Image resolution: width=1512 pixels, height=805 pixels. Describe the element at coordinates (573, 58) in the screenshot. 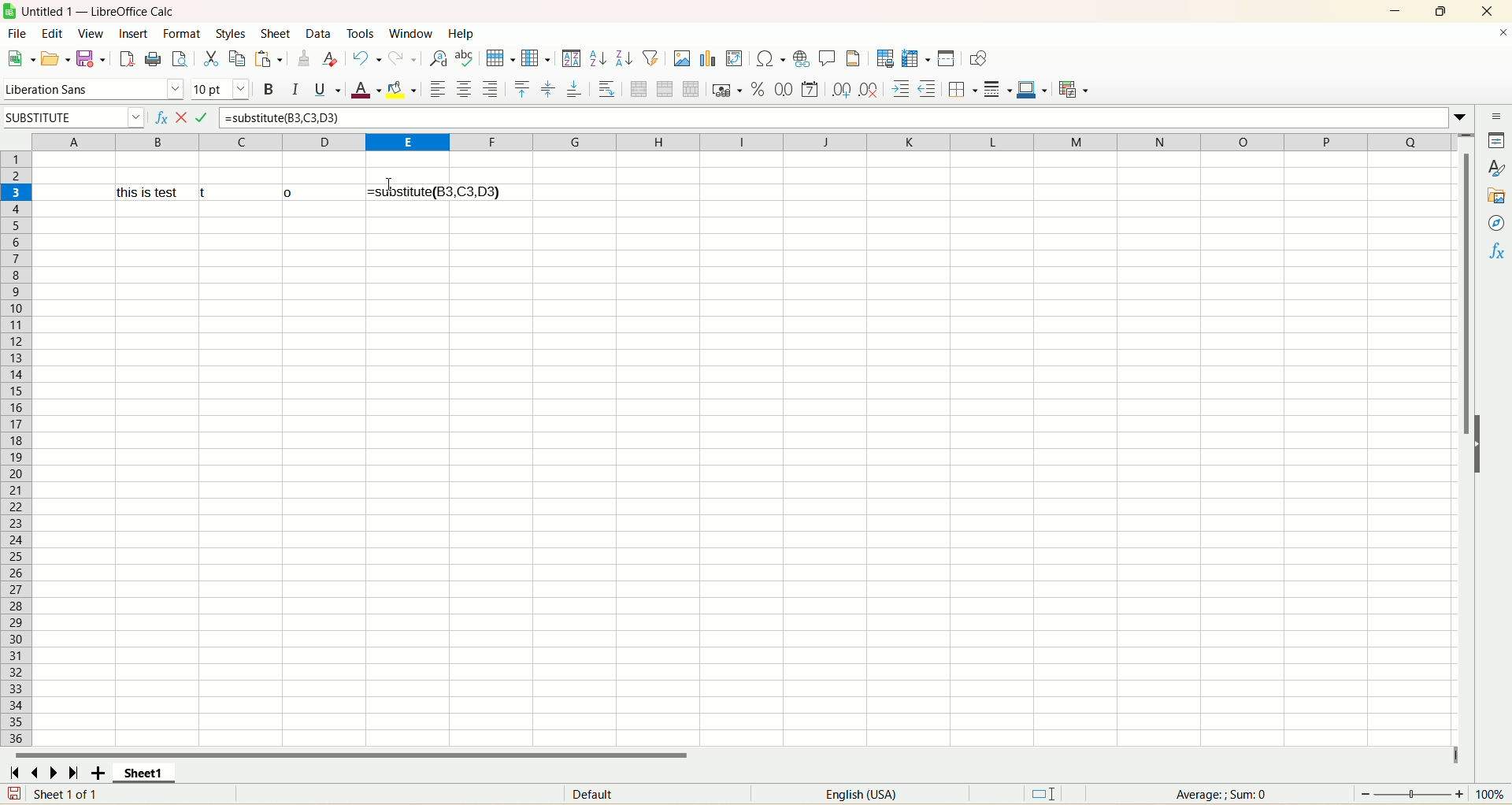

I see `sort` at that location.